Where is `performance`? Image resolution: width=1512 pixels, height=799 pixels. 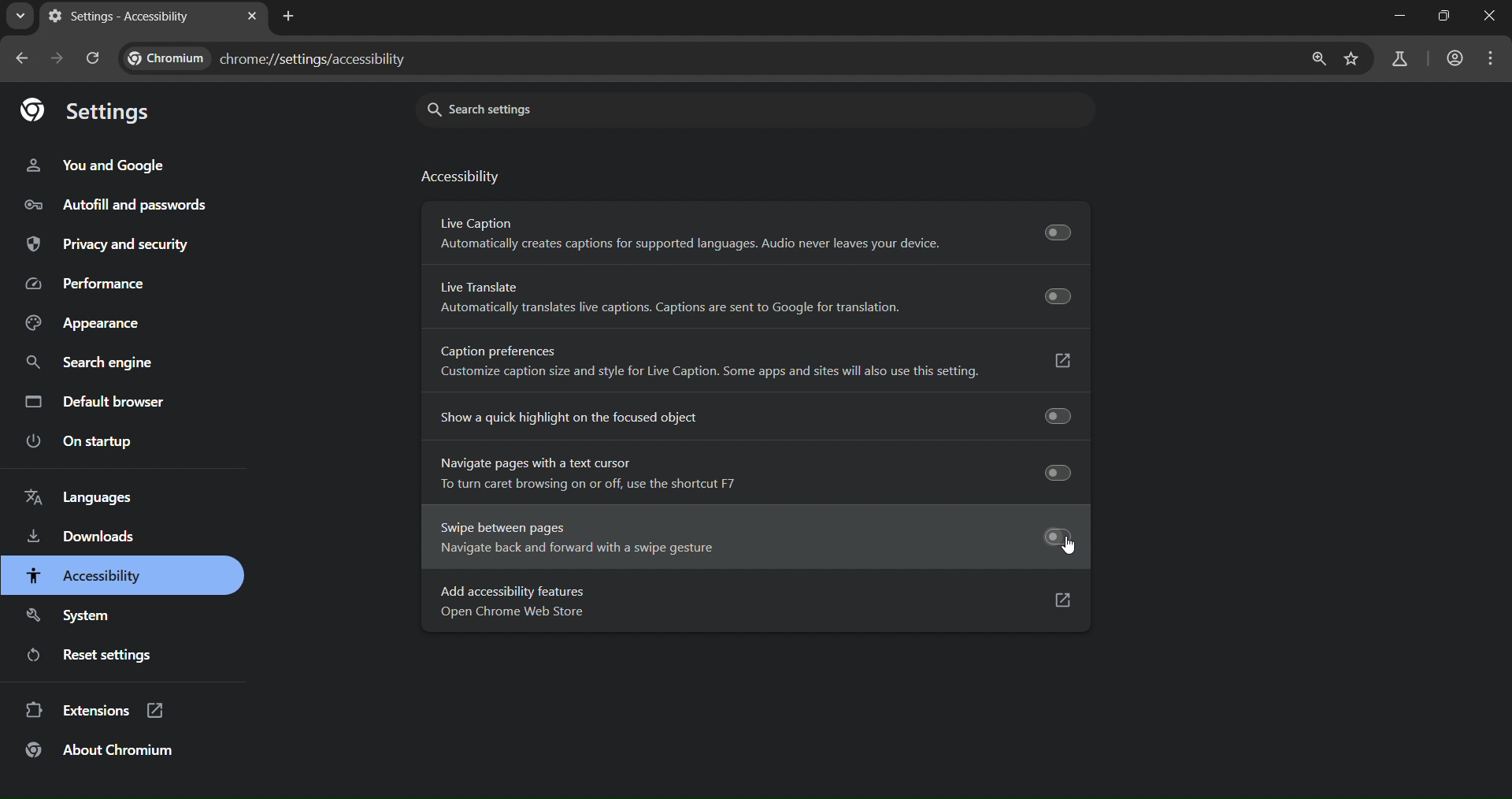 performance is located at coordinates (87, 283).